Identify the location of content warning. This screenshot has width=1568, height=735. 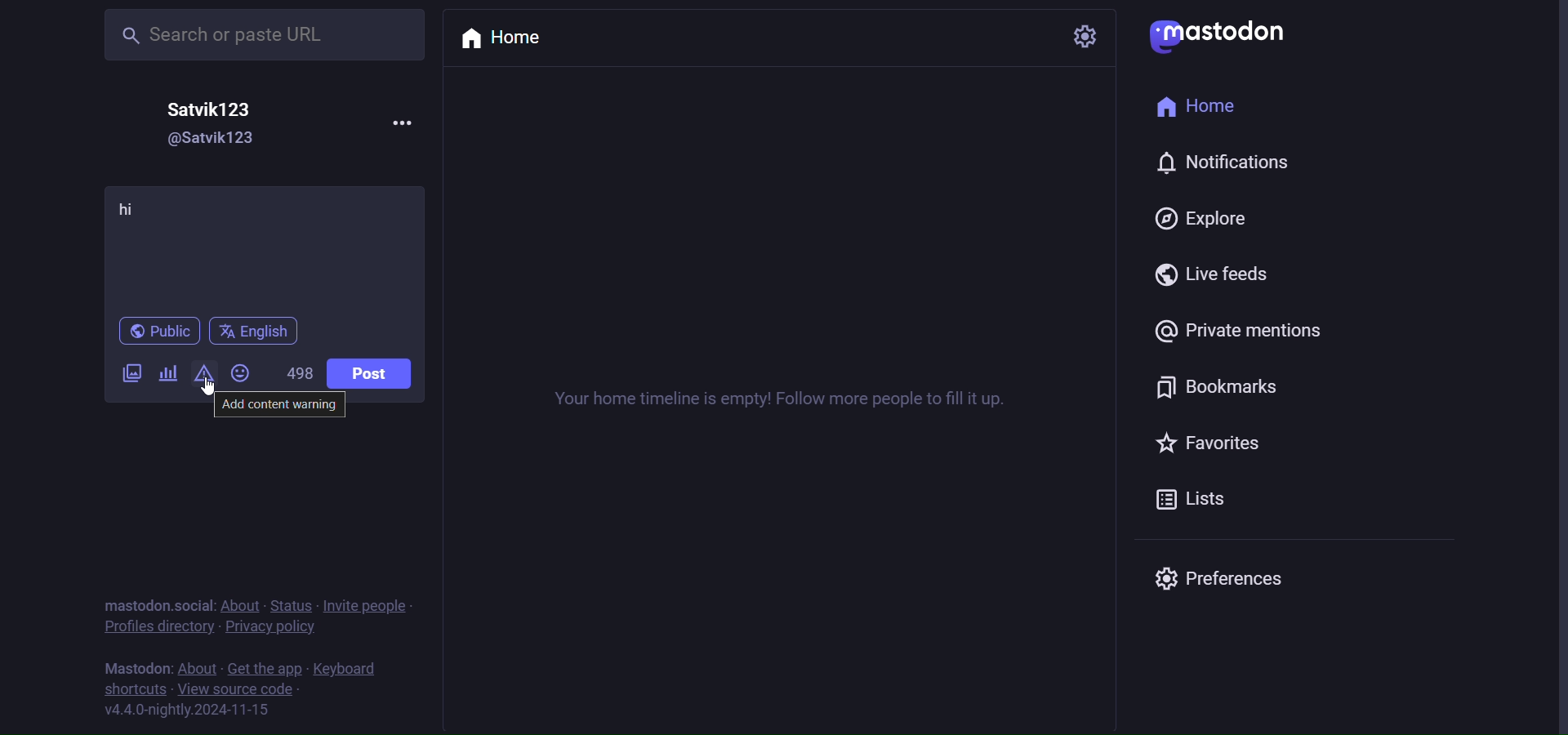
(202, 375).